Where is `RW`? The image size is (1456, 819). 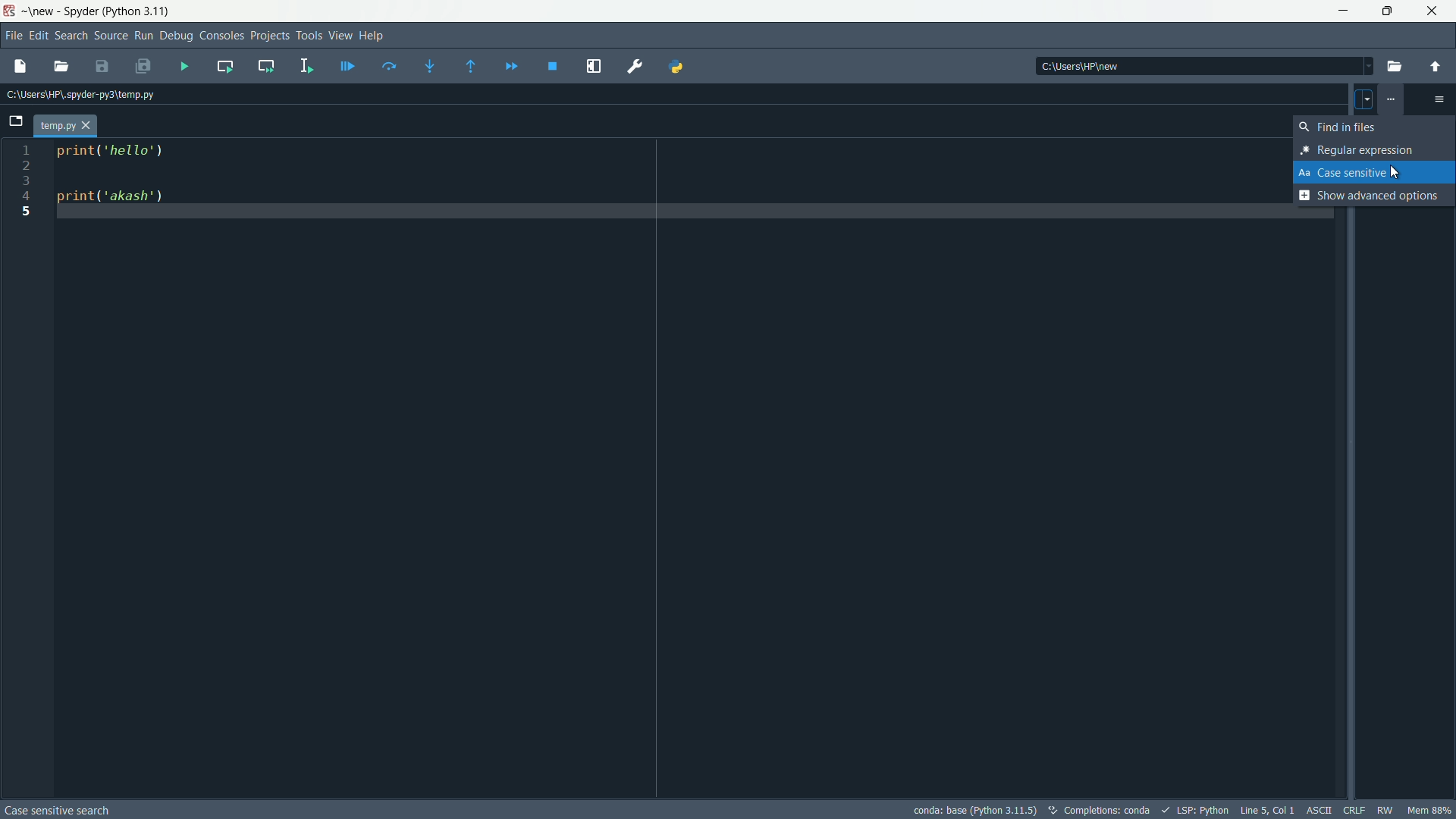 RW is located at coordinates (1385, 810).